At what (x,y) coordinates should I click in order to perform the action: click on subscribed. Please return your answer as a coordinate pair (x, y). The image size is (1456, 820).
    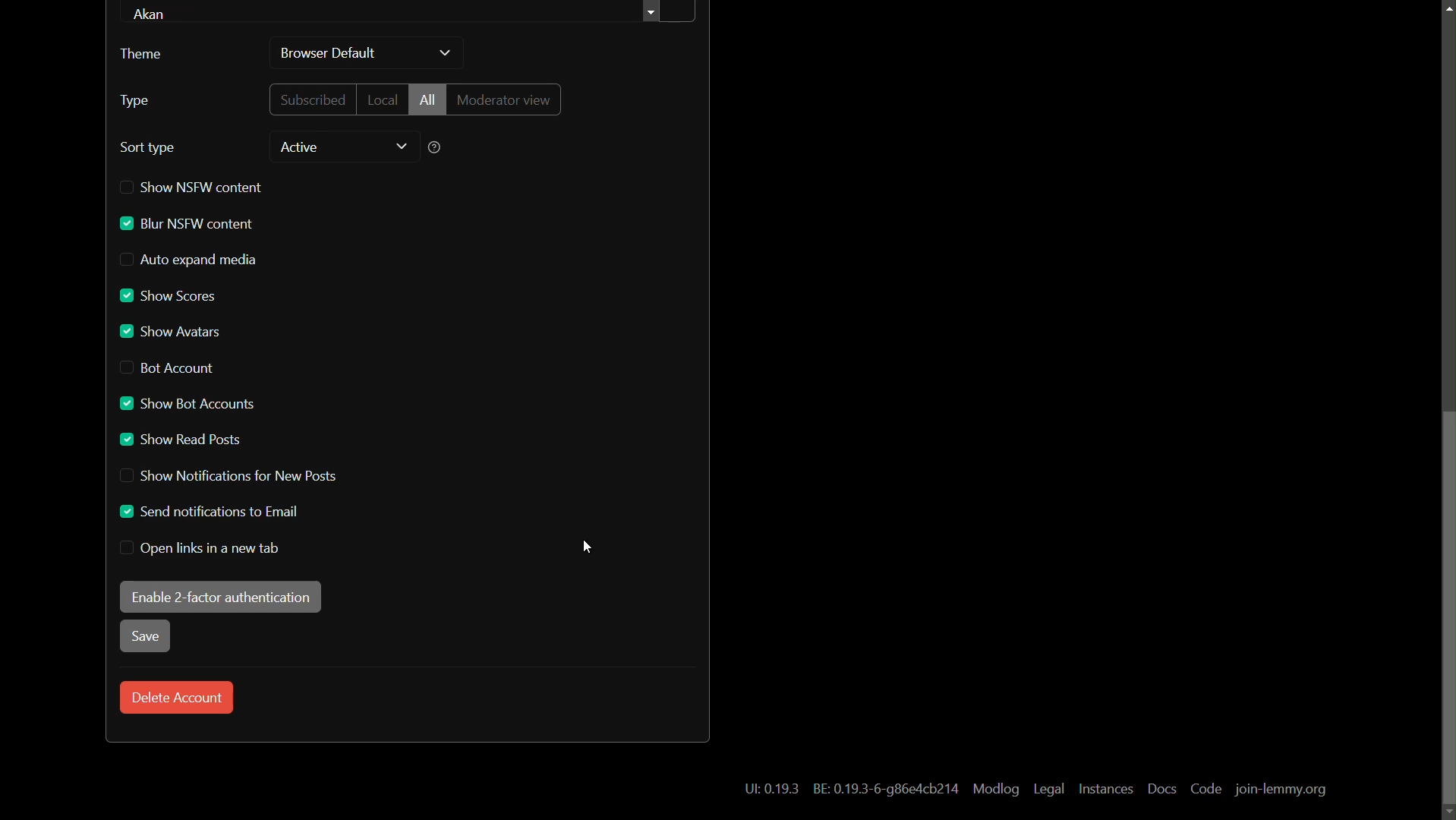
    Looking at the image, I should click on (310, 99).